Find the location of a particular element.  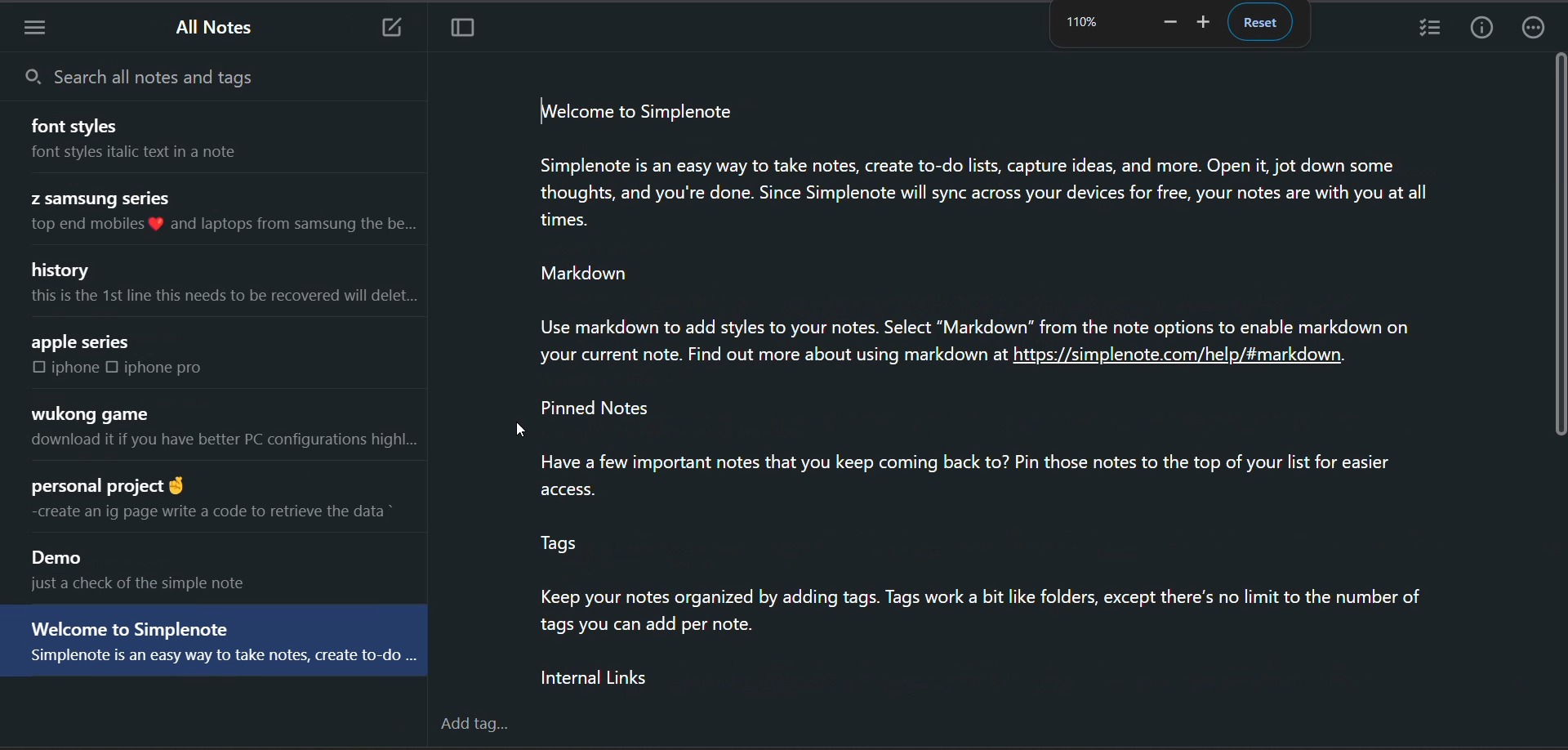

cursor is located at coordinates (519, 431).